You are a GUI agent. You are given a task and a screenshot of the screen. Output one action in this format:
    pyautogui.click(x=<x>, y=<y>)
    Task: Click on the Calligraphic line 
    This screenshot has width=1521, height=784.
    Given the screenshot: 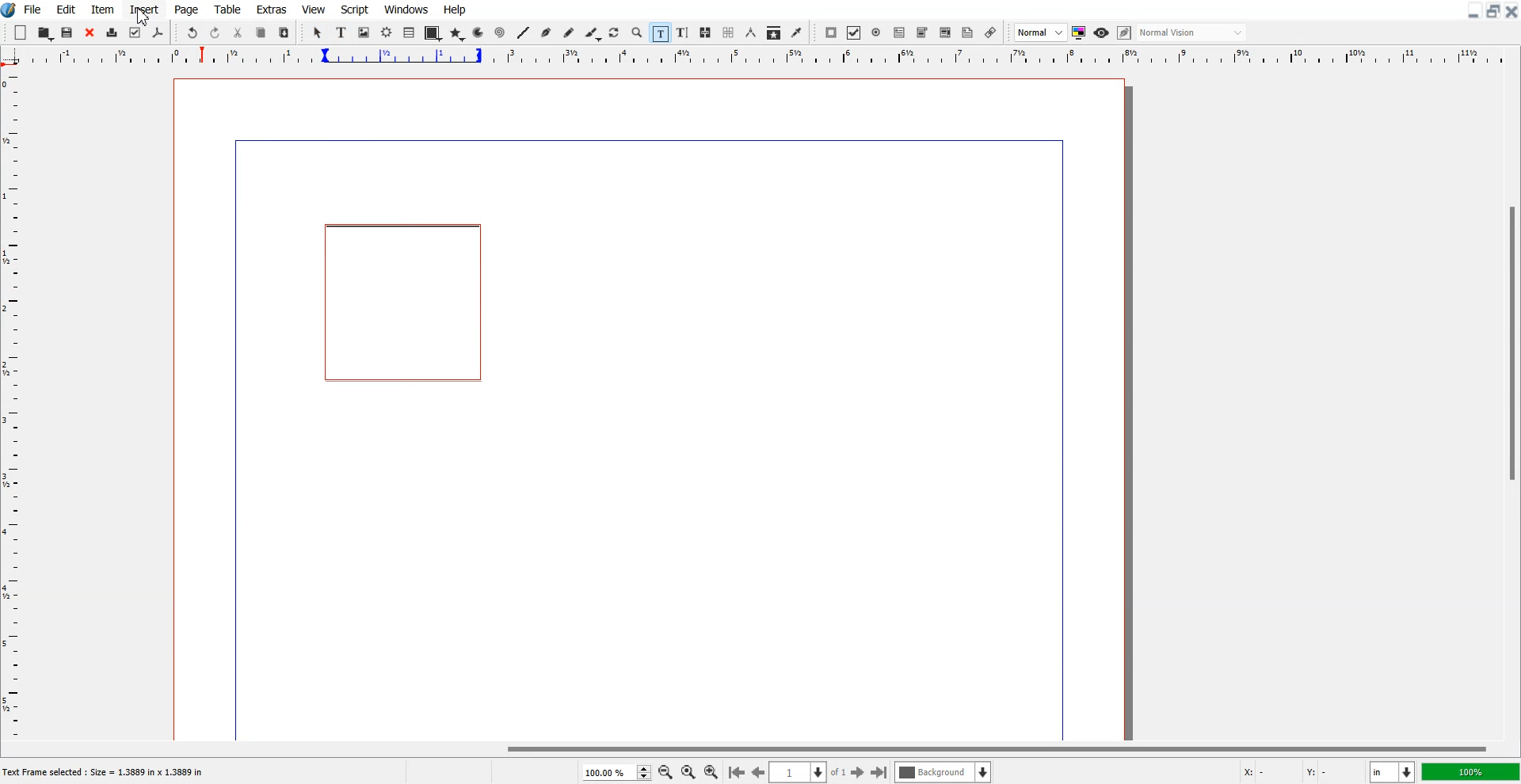 What is the action you would take?
    pyautogui.click(x=593, y=34)
    